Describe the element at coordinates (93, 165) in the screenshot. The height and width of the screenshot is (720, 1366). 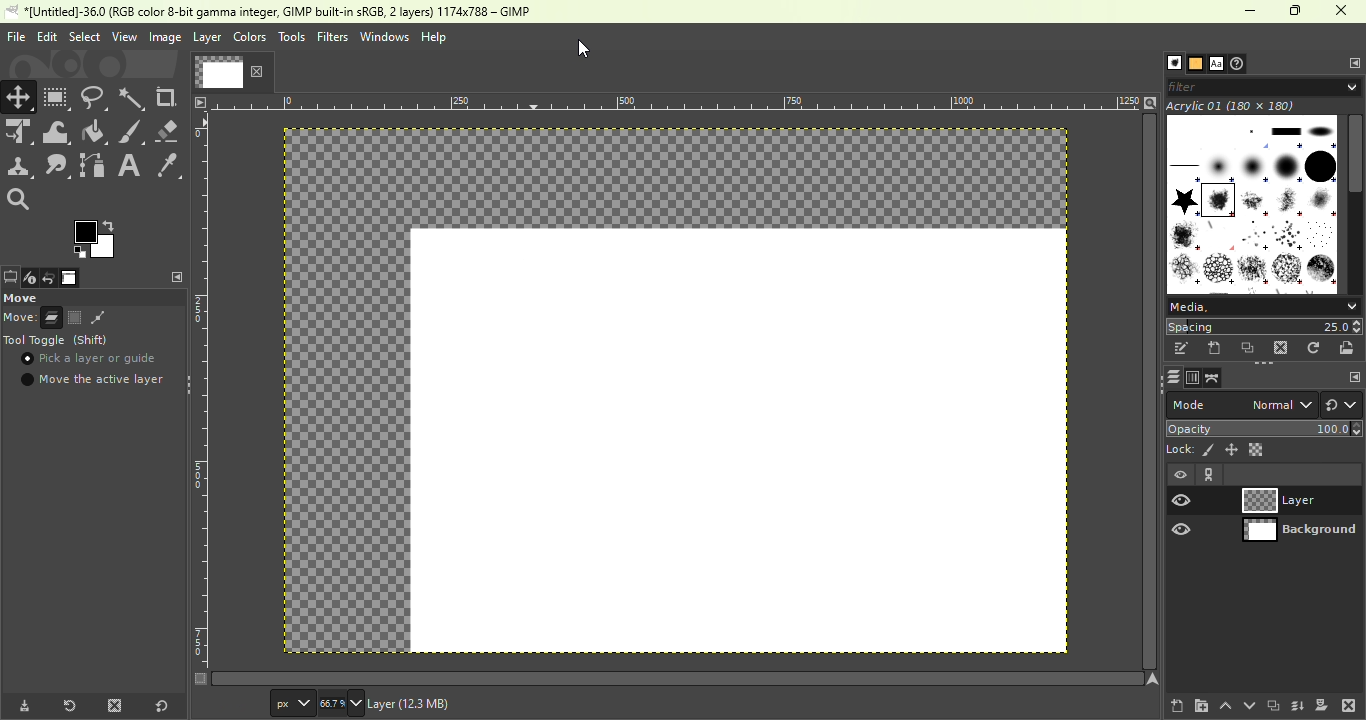
I see `Paths tool` at that location.